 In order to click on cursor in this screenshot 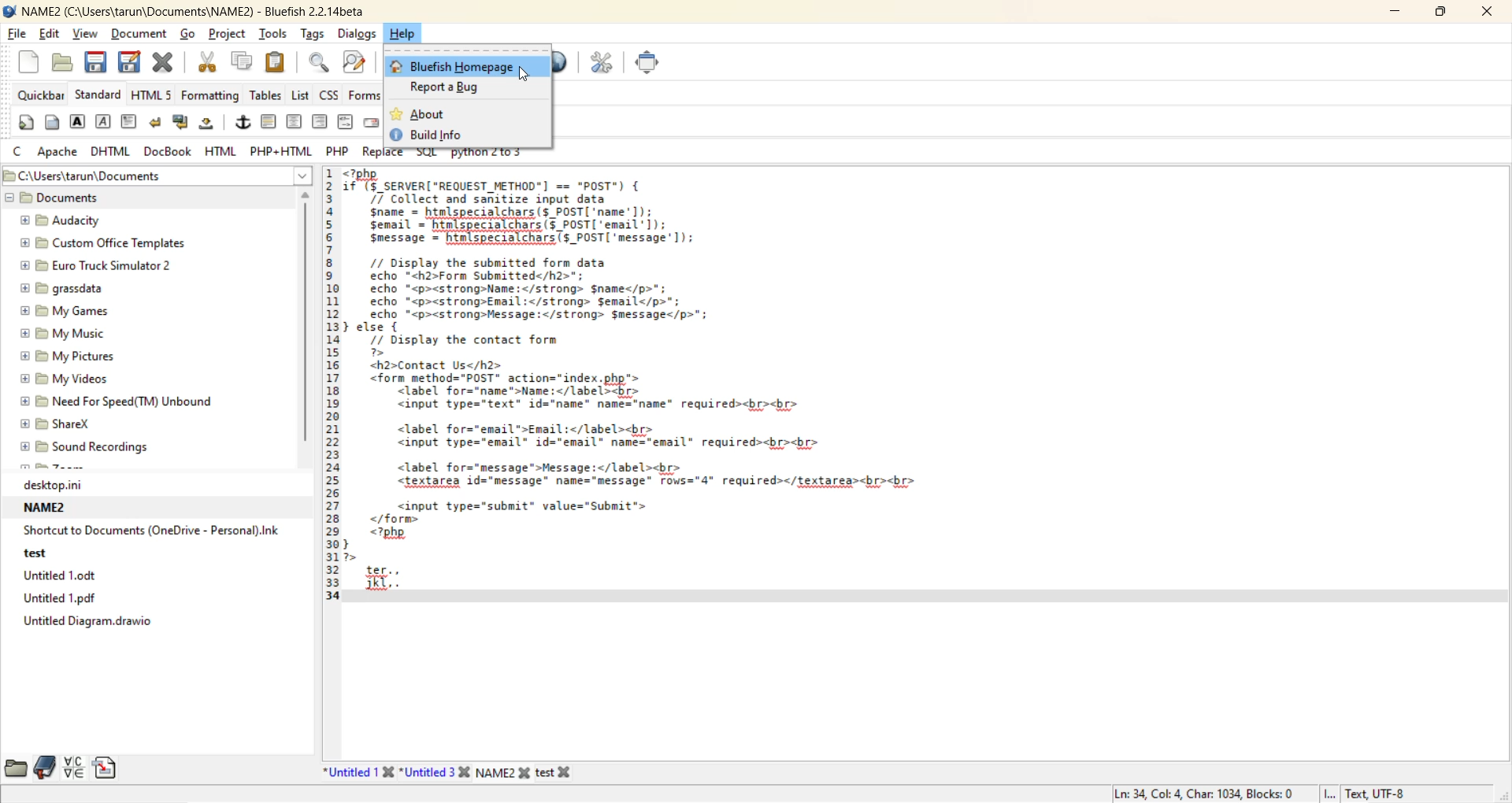, I will do `click(525, 74)`.